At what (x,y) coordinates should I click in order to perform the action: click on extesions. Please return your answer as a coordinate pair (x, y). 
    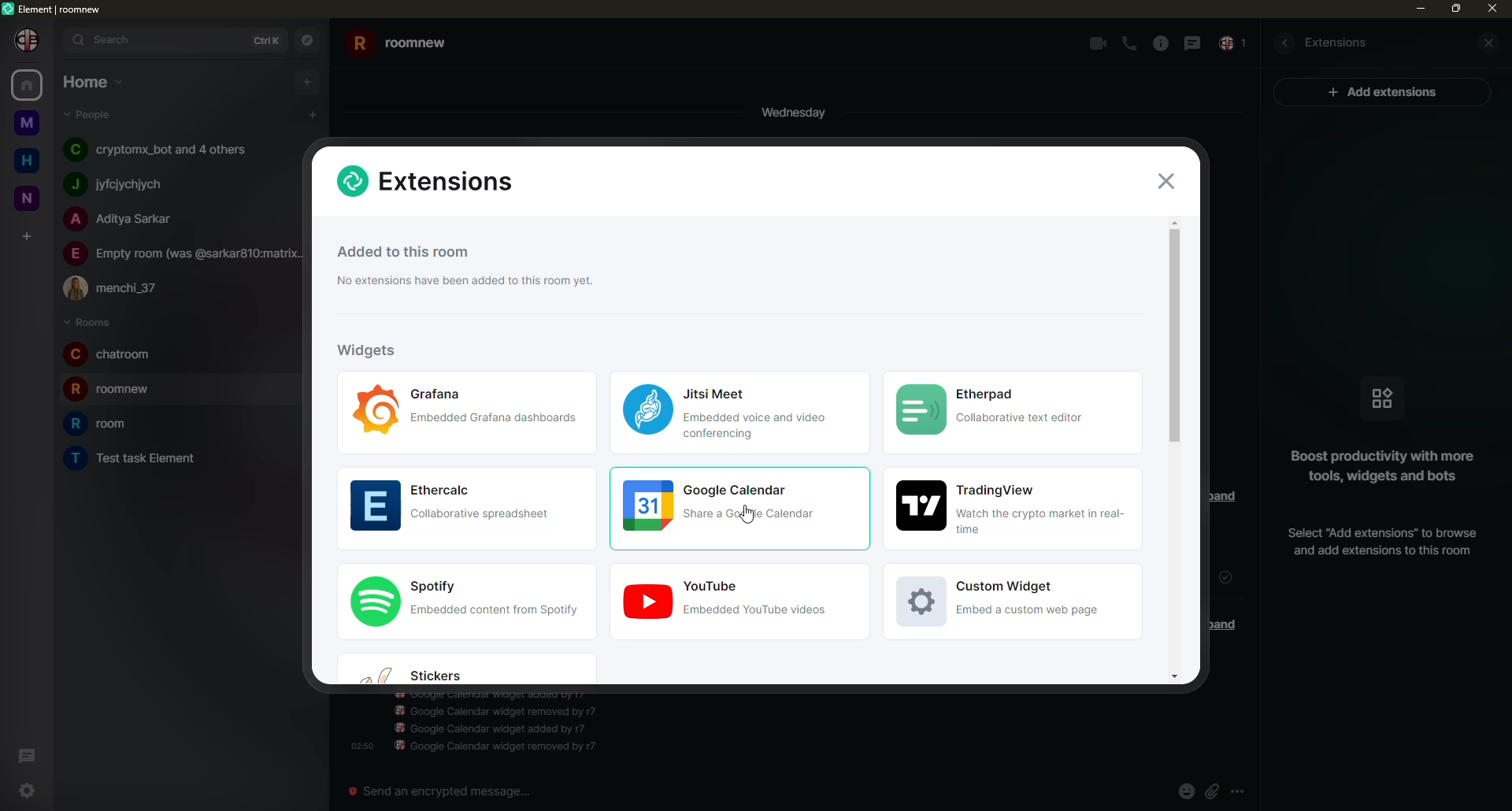
    Looking at the image, I should click on (1339, 43).